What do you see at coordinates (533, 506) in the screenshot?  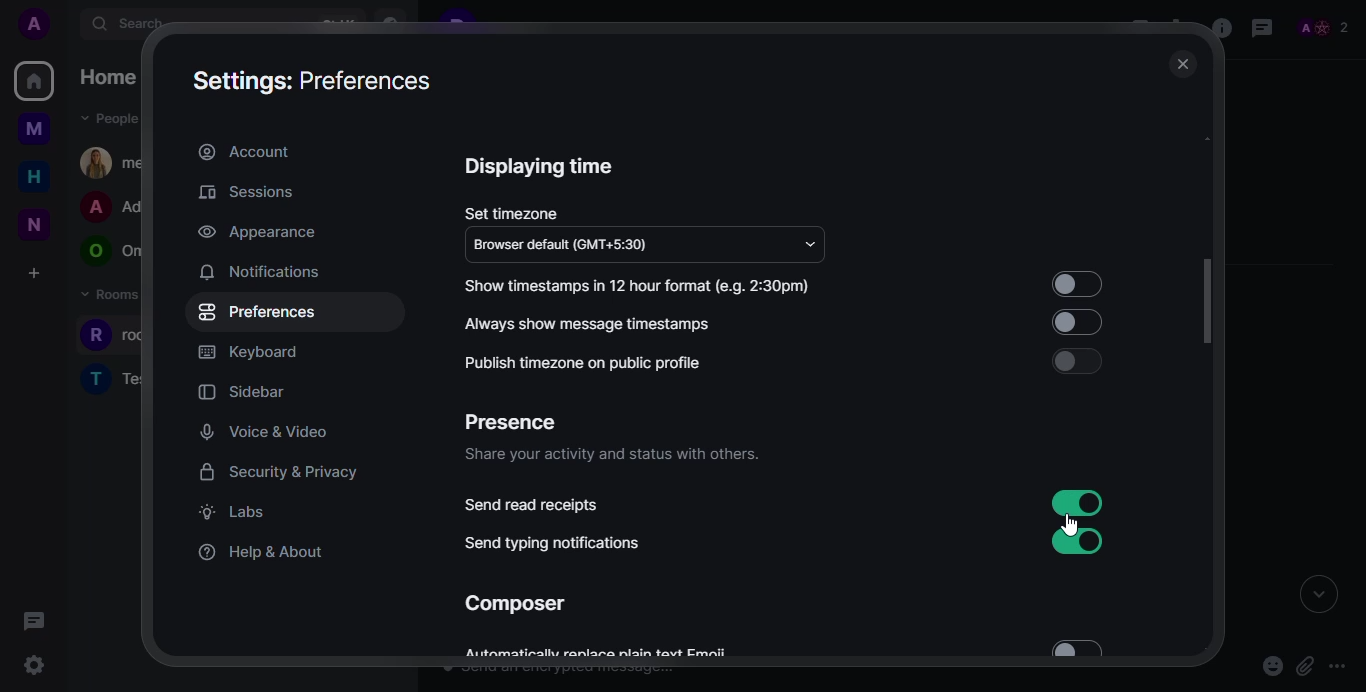 I see `send read receipts` at bounding box center [533, 506].